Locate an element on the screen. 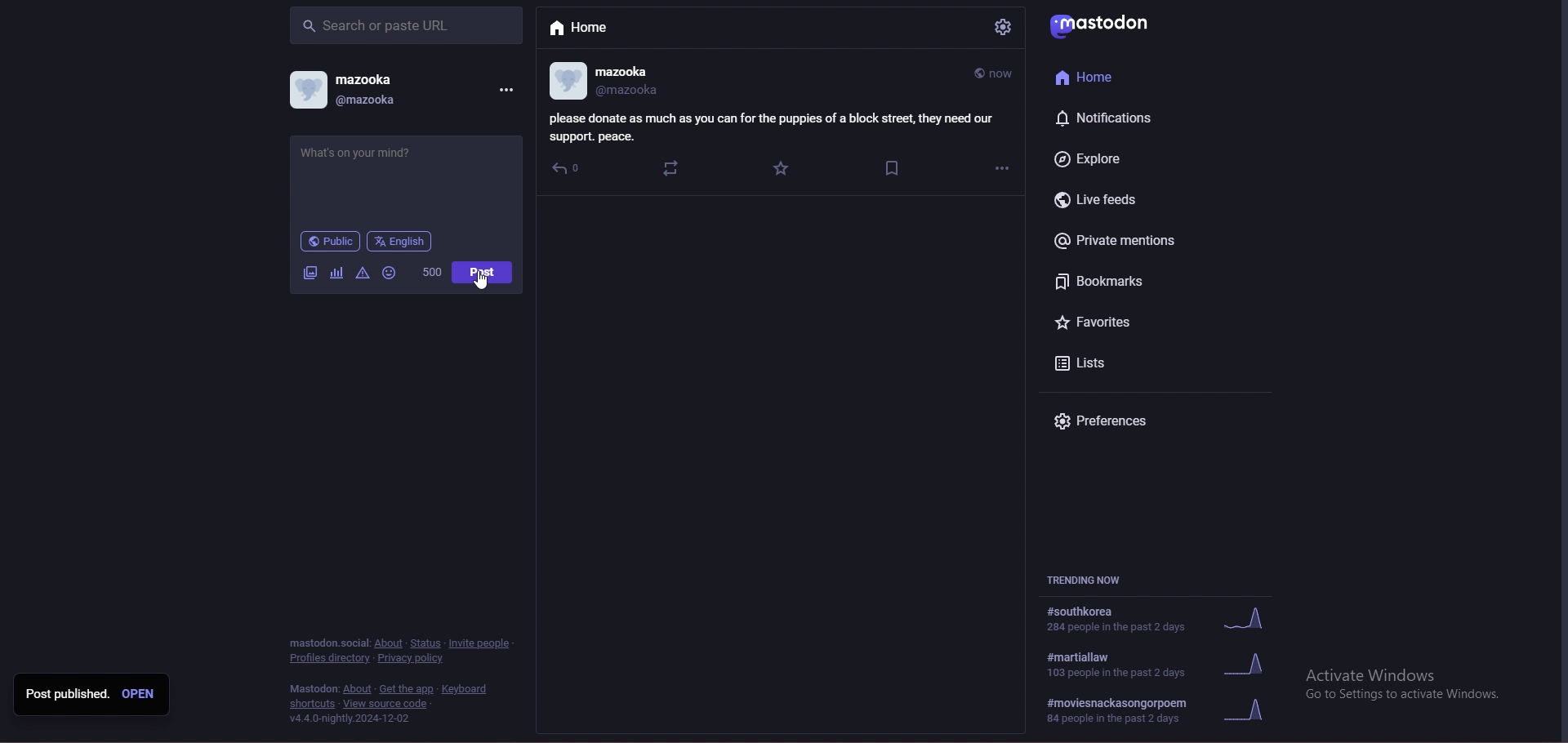 This screenshot has height=743, width=1568. info is located at coordinates (773, 127).